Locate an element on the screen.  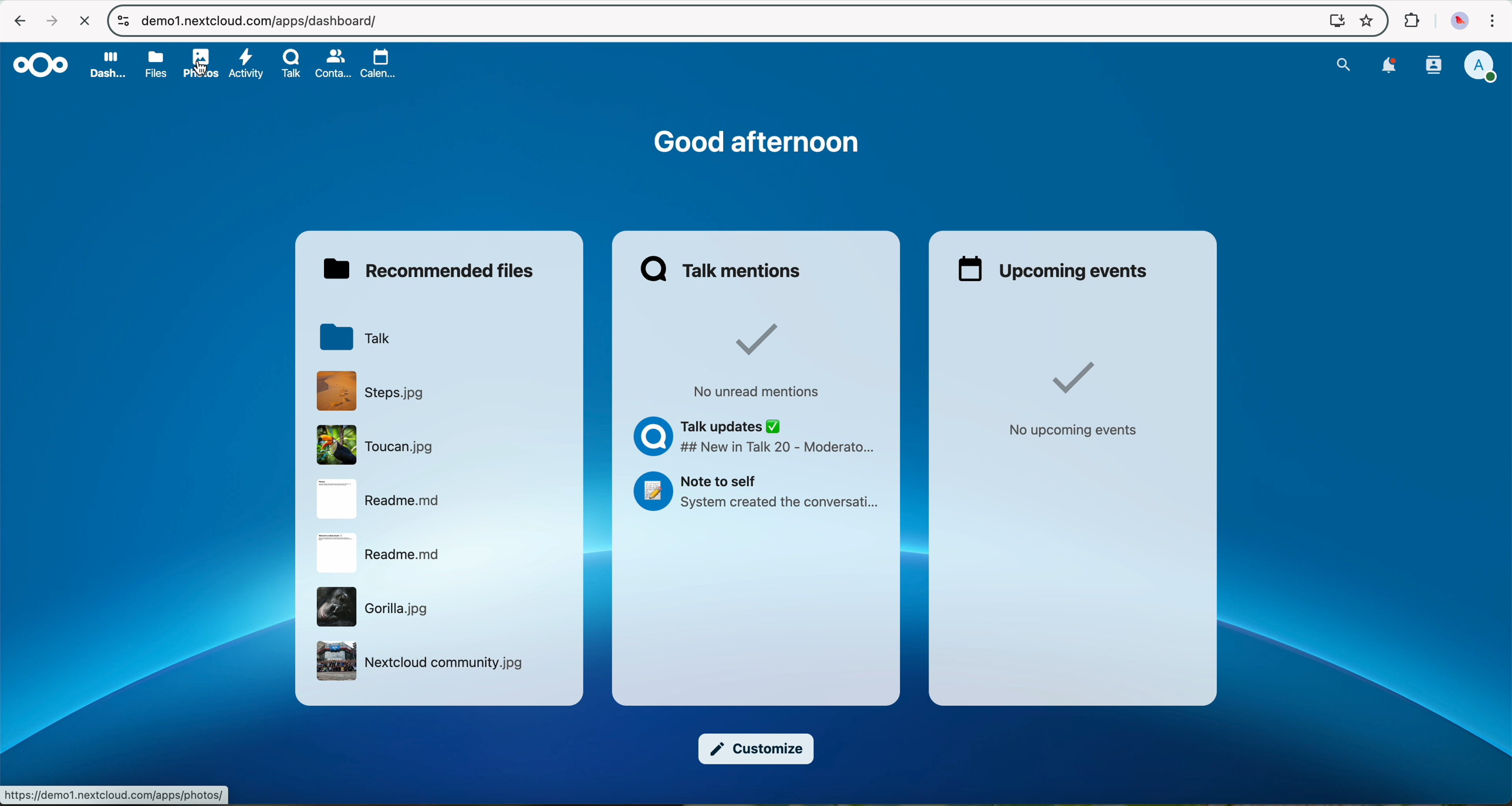
favorites is located at coordinates (1365, 22).